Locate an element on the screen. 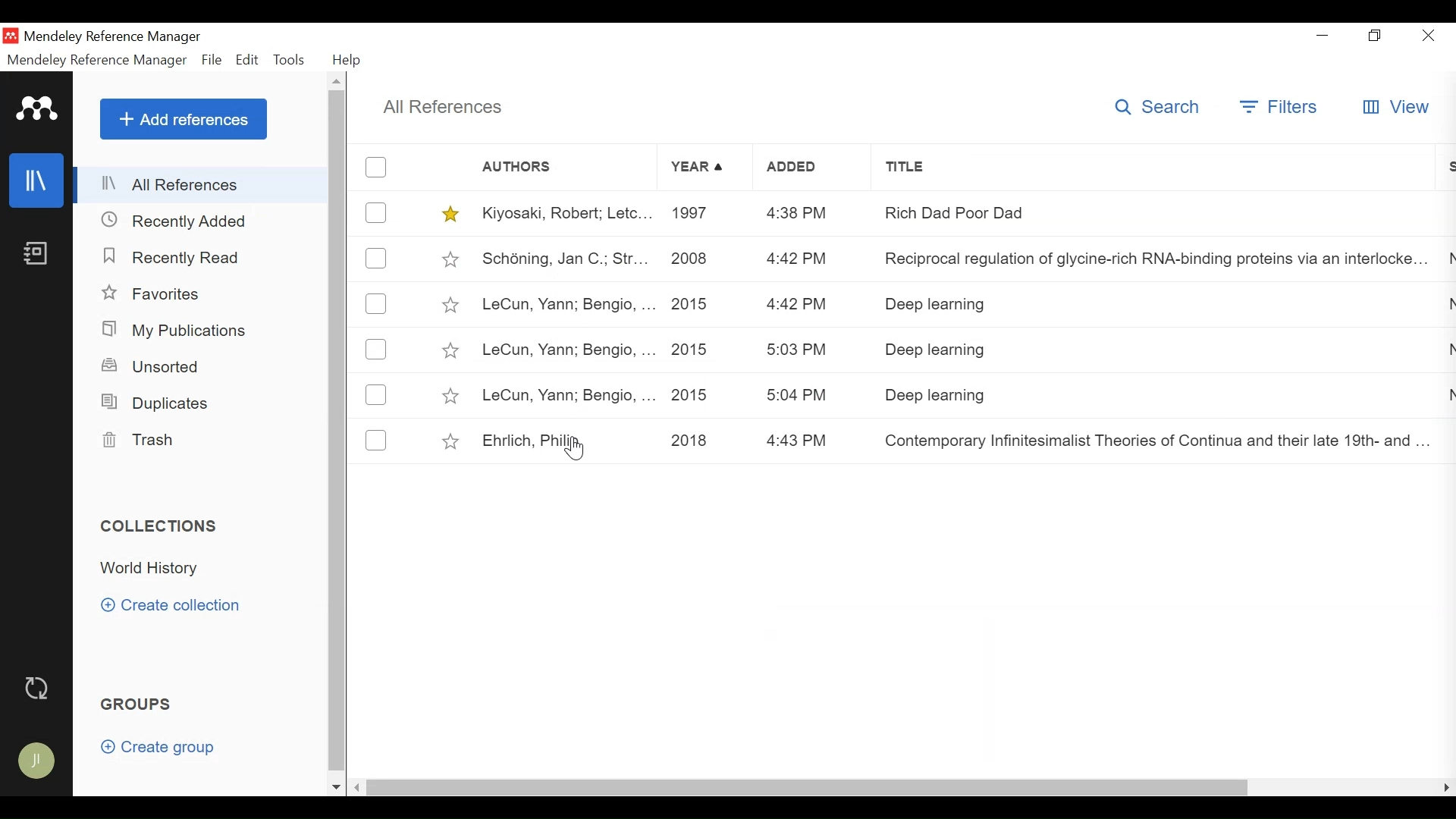  2008 is located at coordinates (691, 262).